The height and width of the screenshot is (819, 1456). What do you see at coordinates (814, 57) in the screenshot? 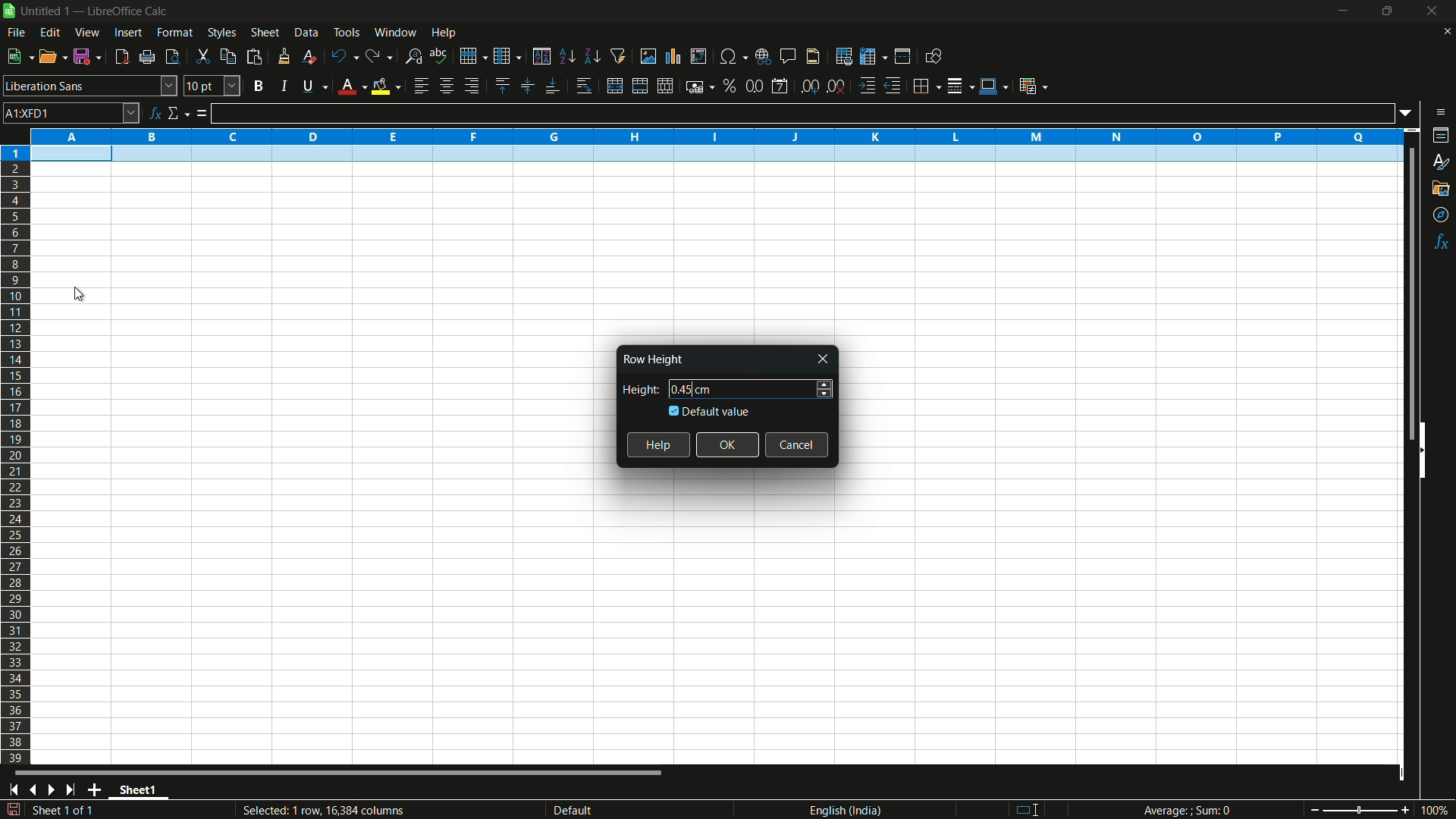
I see `header and footer` at bounding box center [814, 57].